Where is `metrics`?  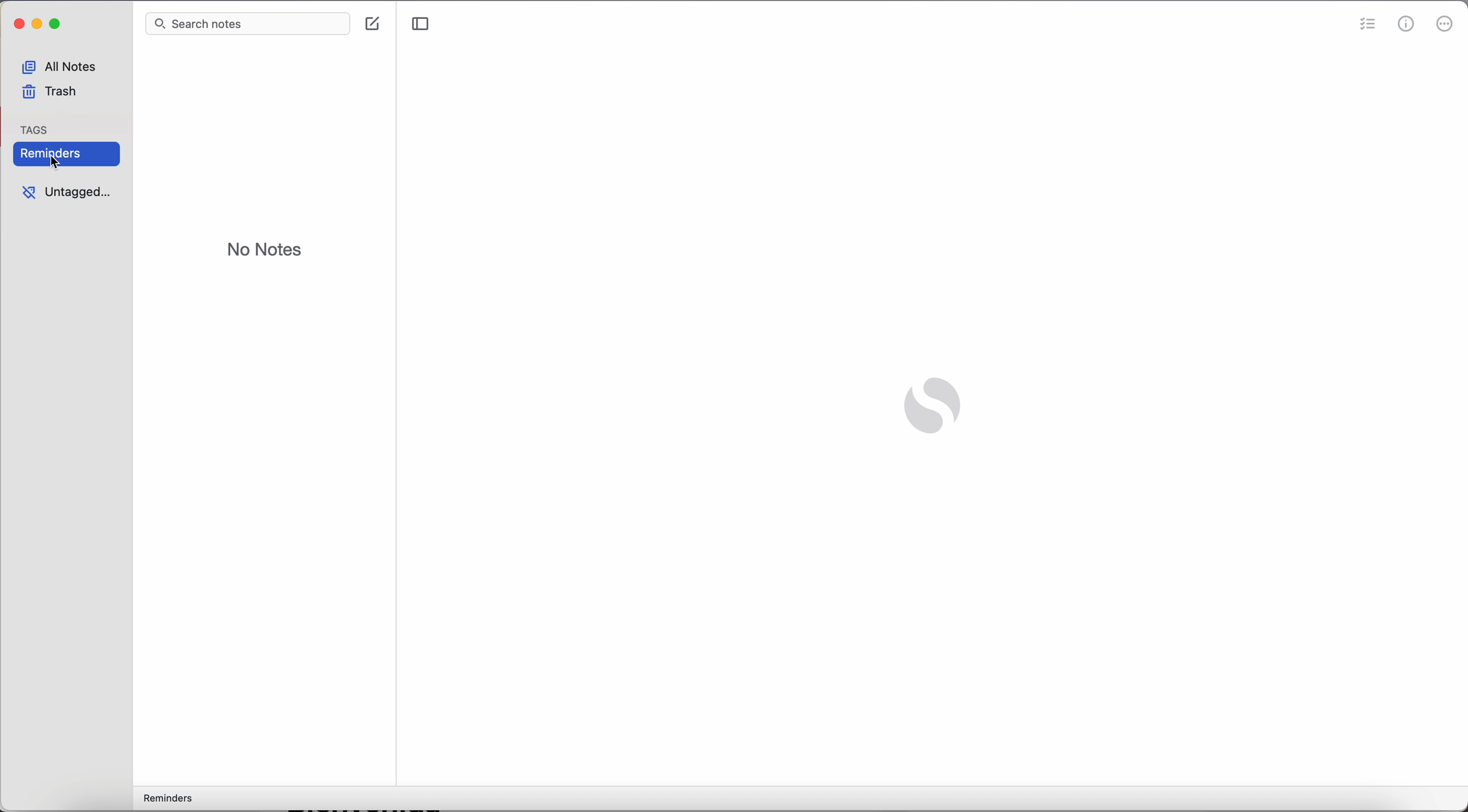
metrics is located at coordinates (1408, 25).